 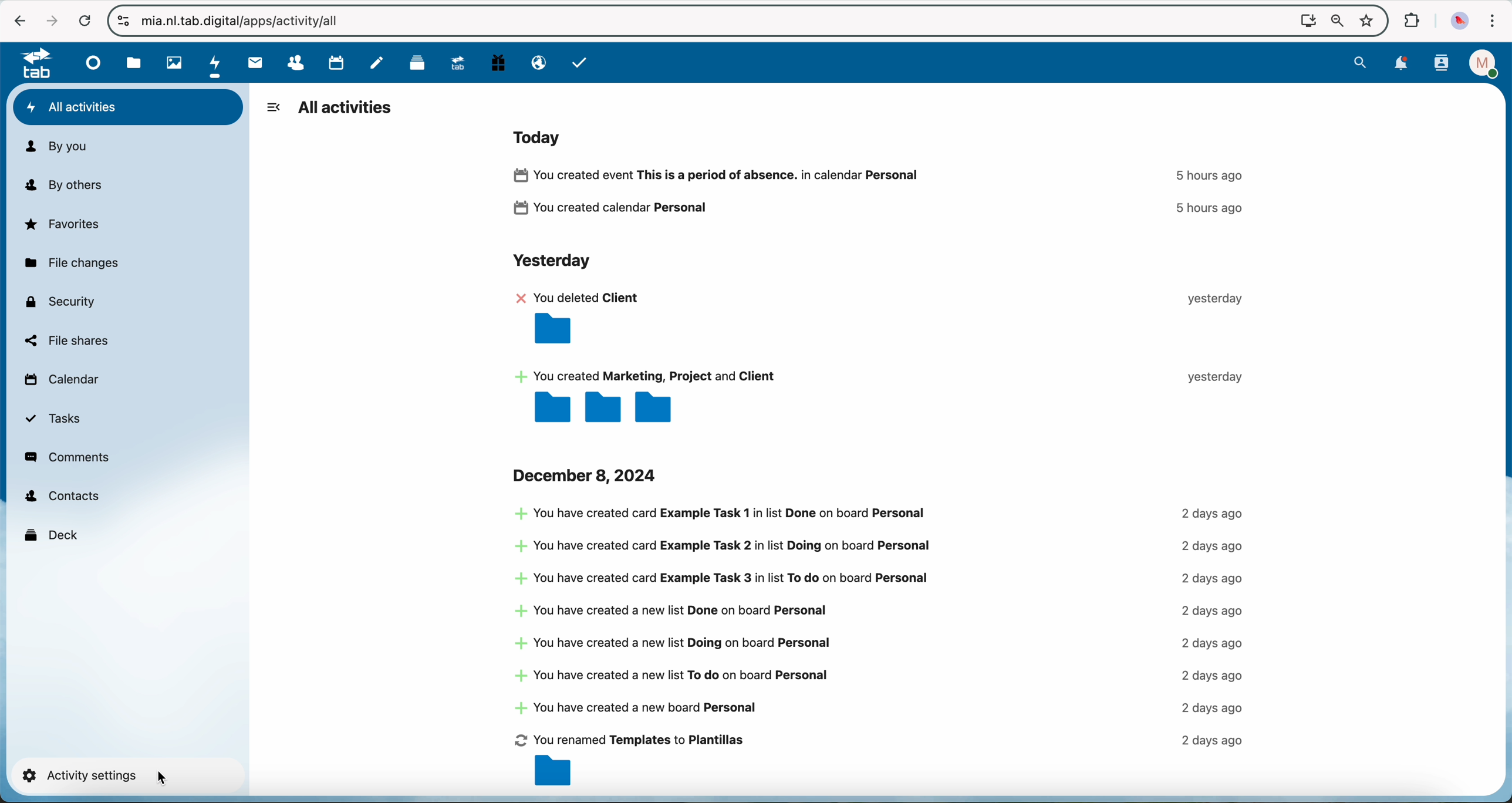 I want to click on file shares, so click(x=66, y=340).